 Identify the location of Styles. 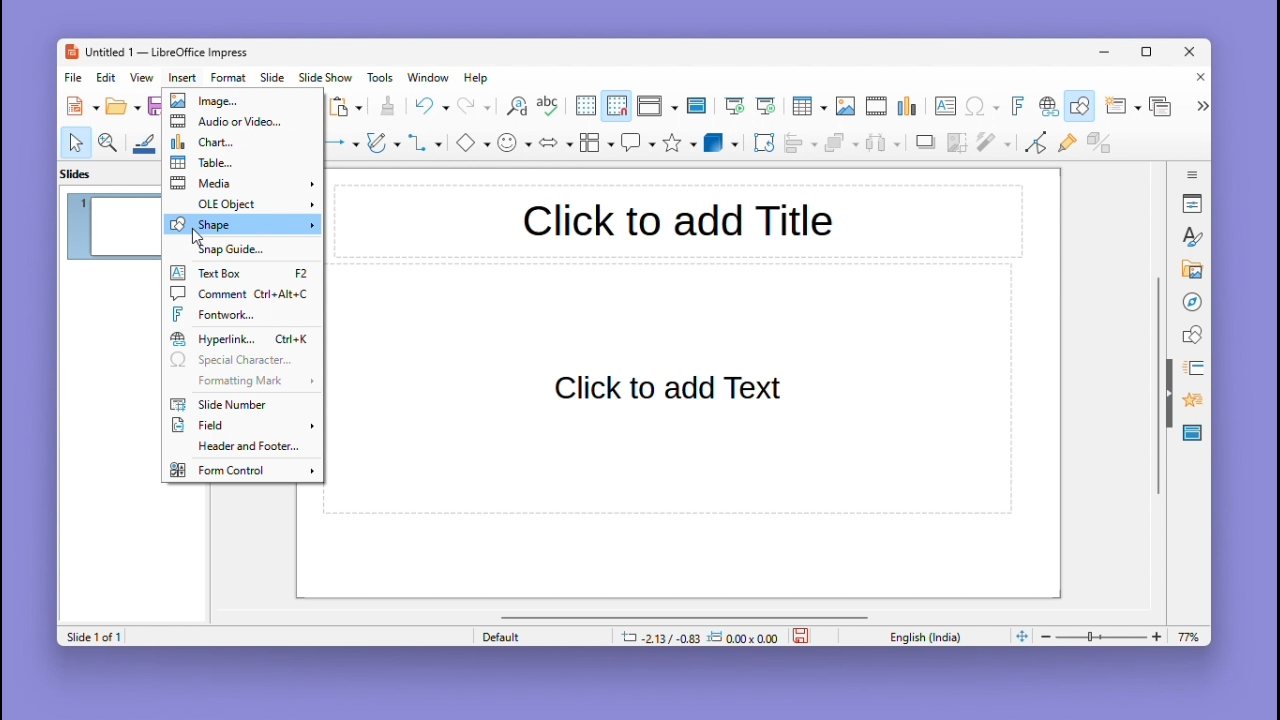
(1194, 236).